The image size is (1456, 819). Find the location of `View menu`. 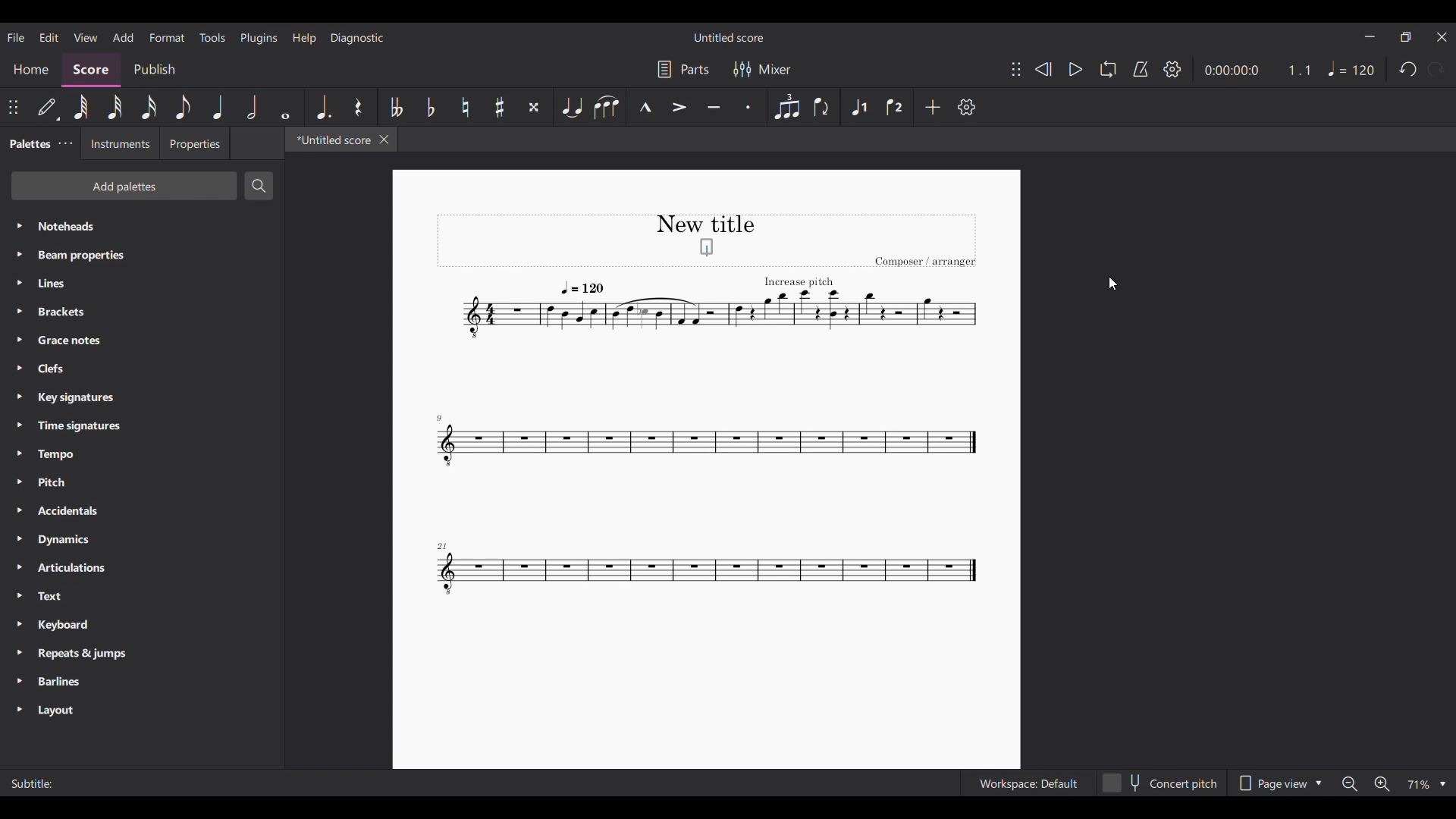

View menu is located at coordinates (85, 37).